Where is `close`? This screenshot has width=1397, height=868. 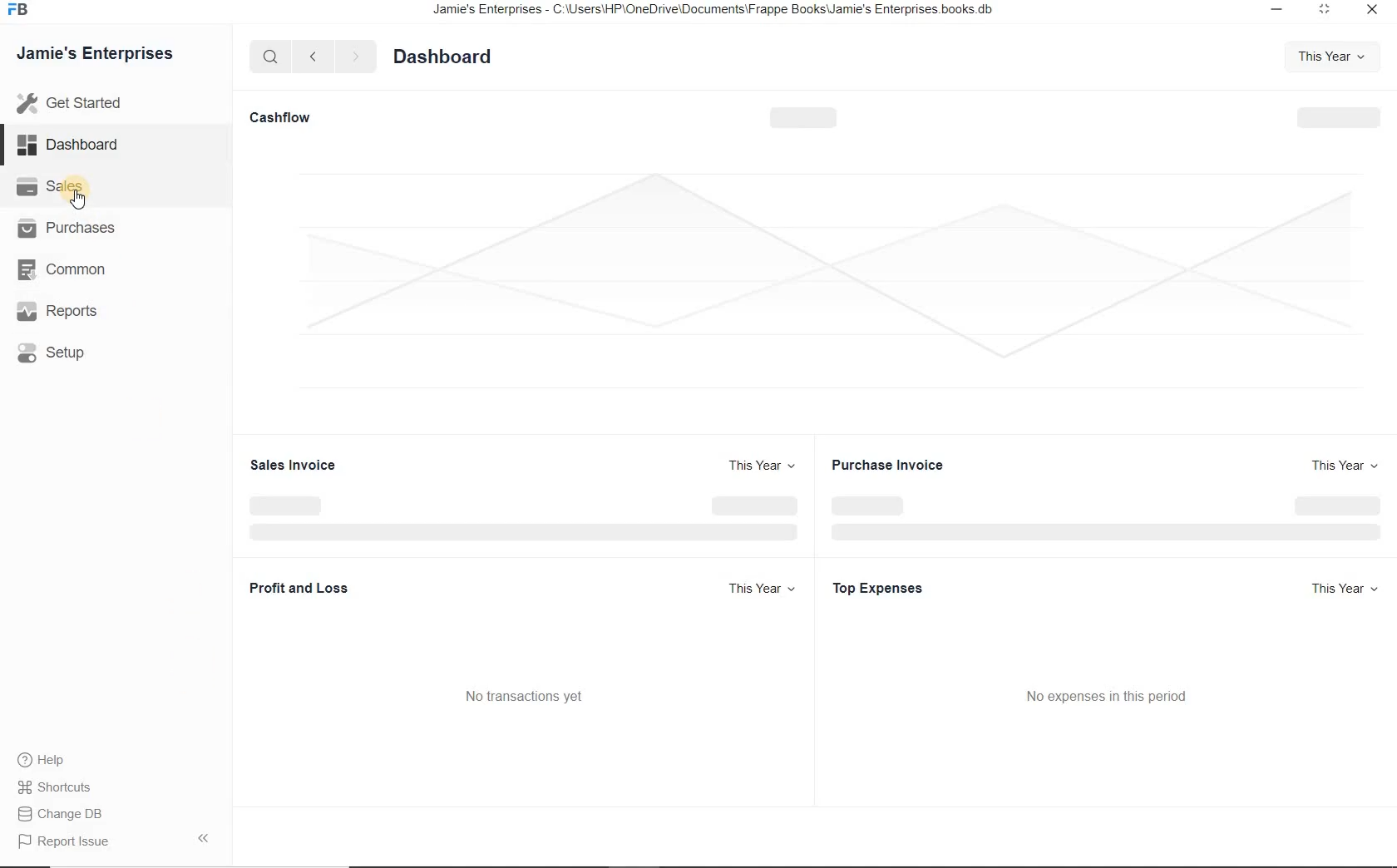
close is located at coordinates (1373, 13).